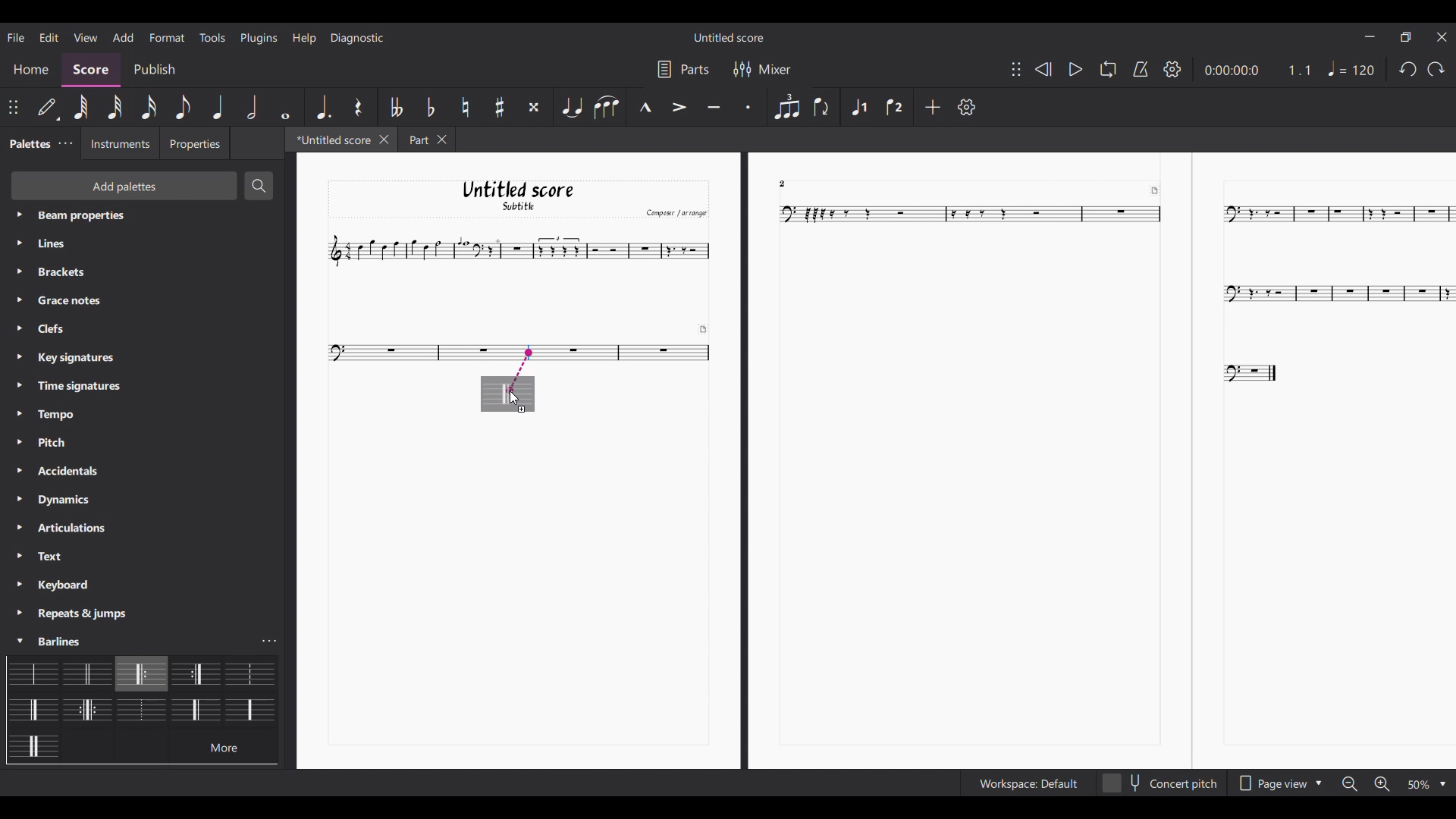 The width and height of the screenshot is (1456, 819). What do you see at coordinates (259, 38) in the screenshot?
I see `Plugins menu` at bounding box center [259, 38].